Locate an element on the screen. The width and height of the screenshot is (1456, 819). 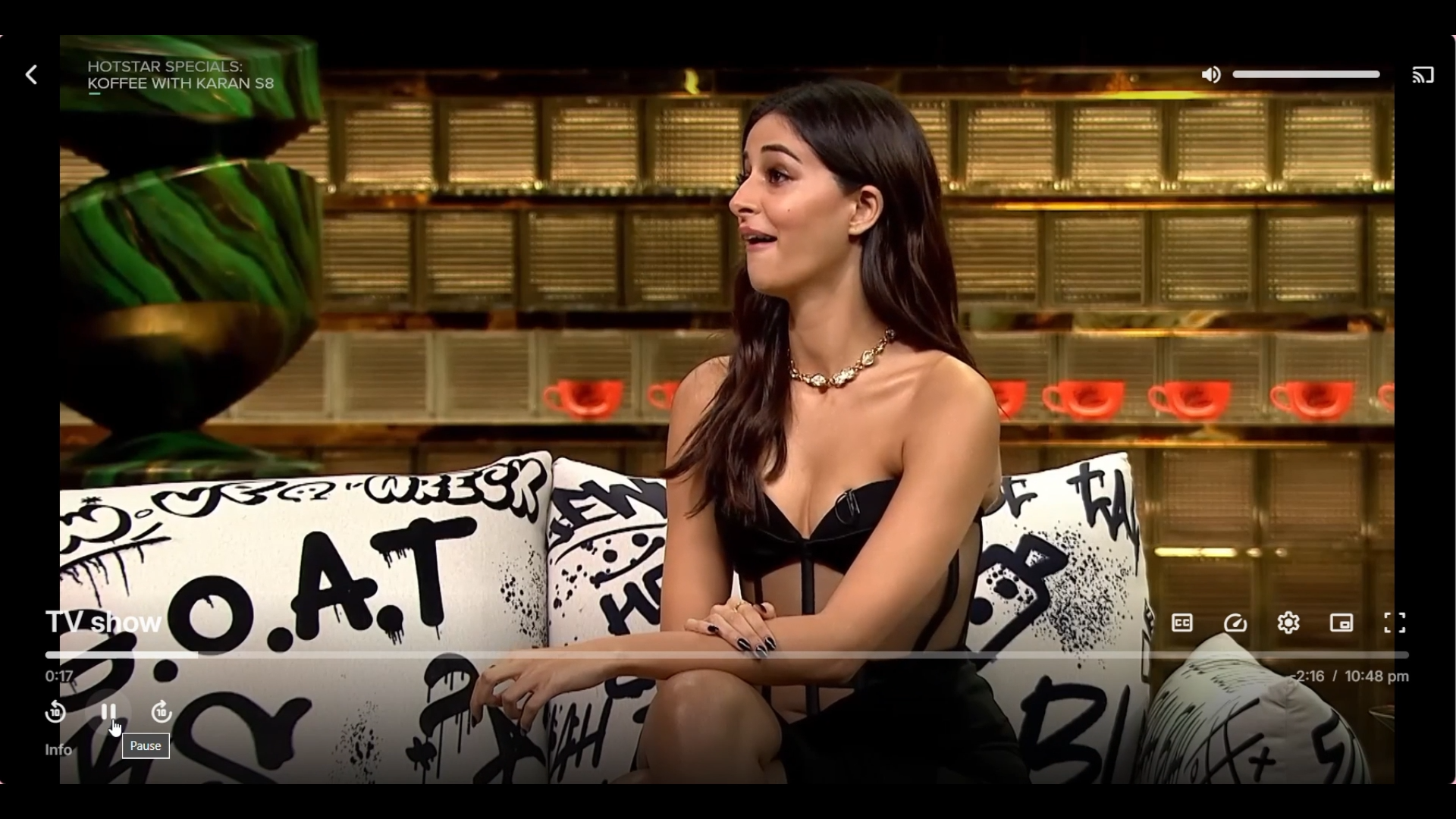
Description of selected icon is located at coordinates (146, 746).